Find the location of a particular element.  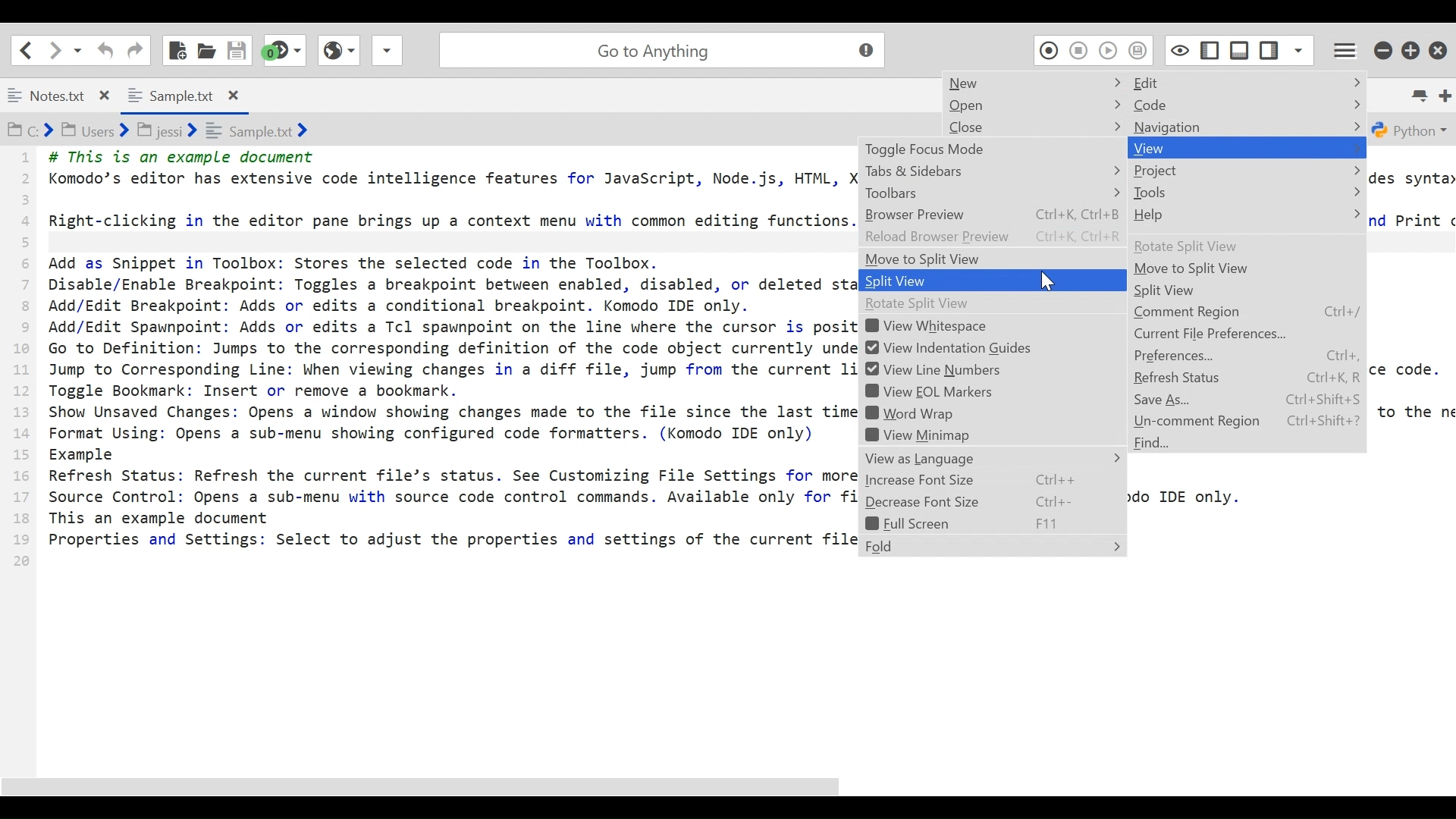

Jump to the next syntax checking result is located at coordinates (285, 50).